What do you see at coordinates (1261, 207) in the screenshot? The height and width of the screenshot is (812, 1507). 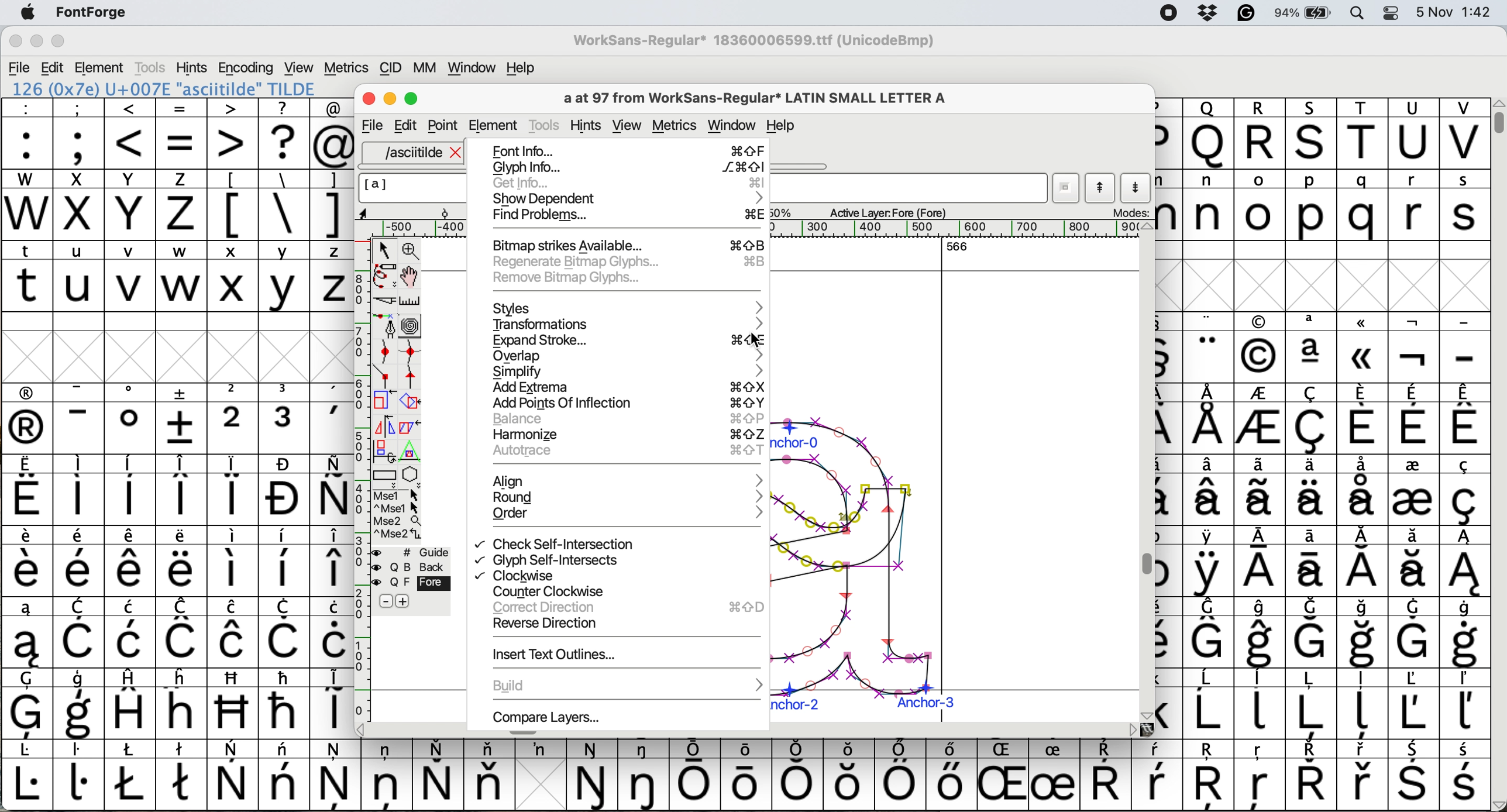 I see `o` at bounding box center [1261, 207].